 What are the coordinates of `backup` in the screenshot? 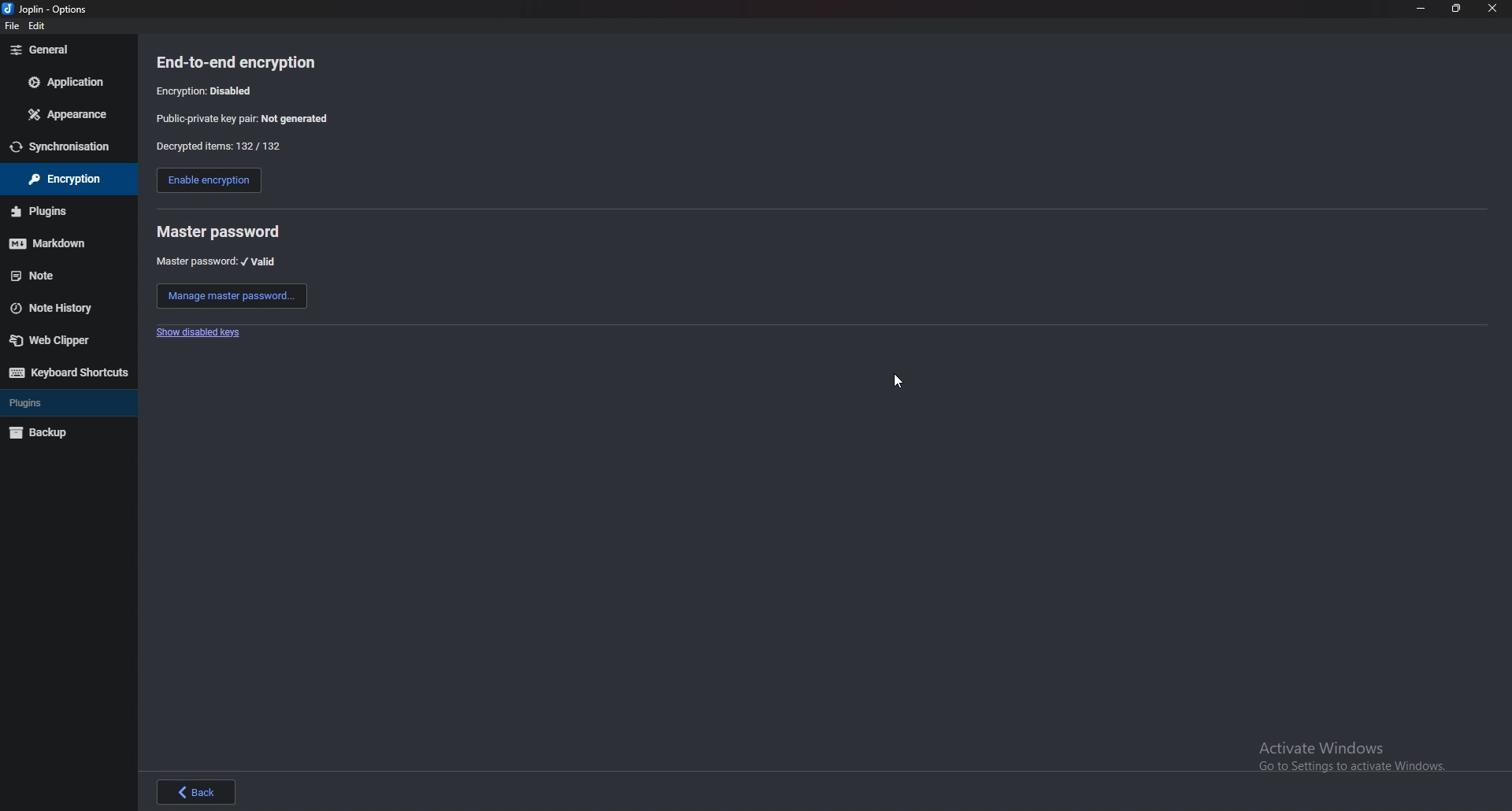 It's located at (61, 434).